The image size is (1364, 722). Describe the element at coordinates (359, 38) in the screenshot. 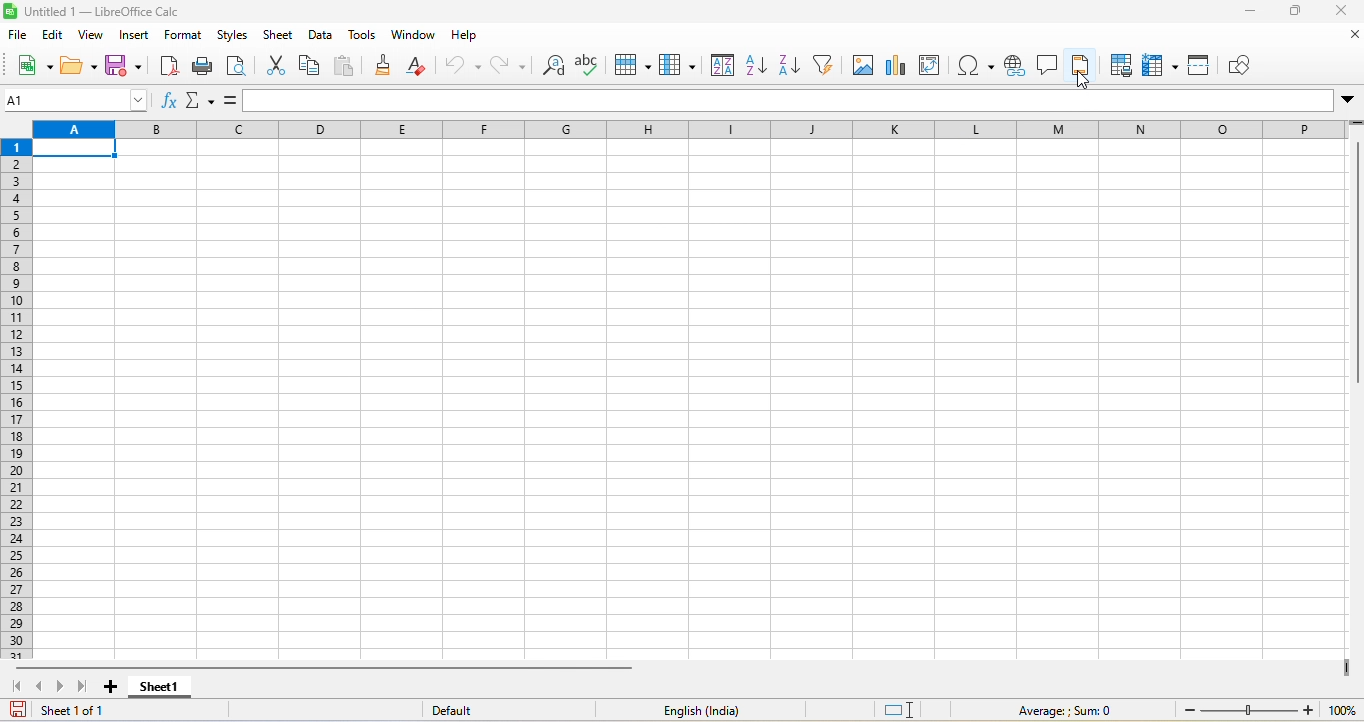

I see `tools` at that location.